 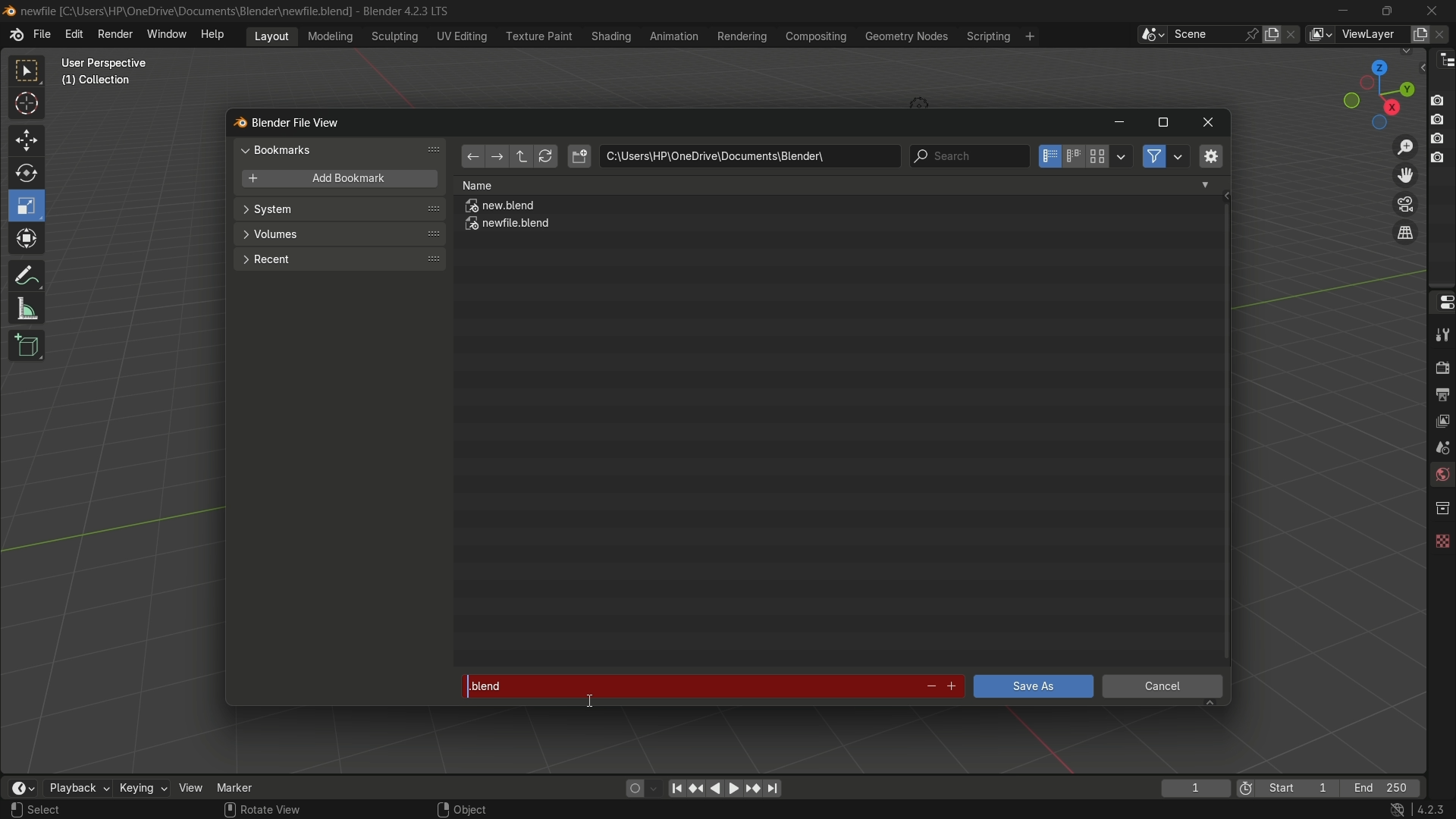 What do you see at coordinates (509, 226) in the screenshot?
I see `newfile.blend file` at bounding box center [509, 226].